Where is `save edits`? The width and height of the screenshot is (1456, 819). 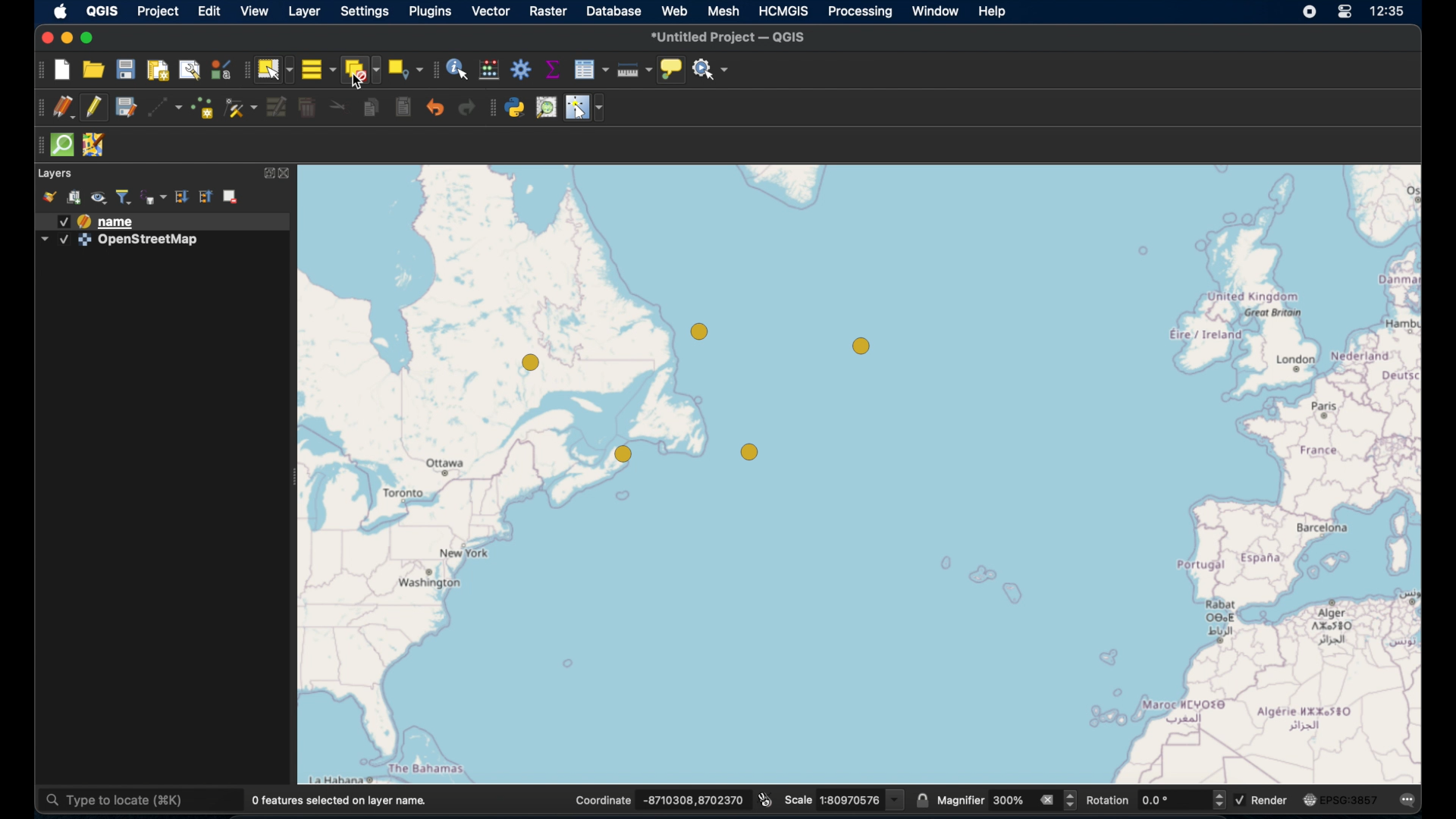 save edits is located at coordinates (125, 108).